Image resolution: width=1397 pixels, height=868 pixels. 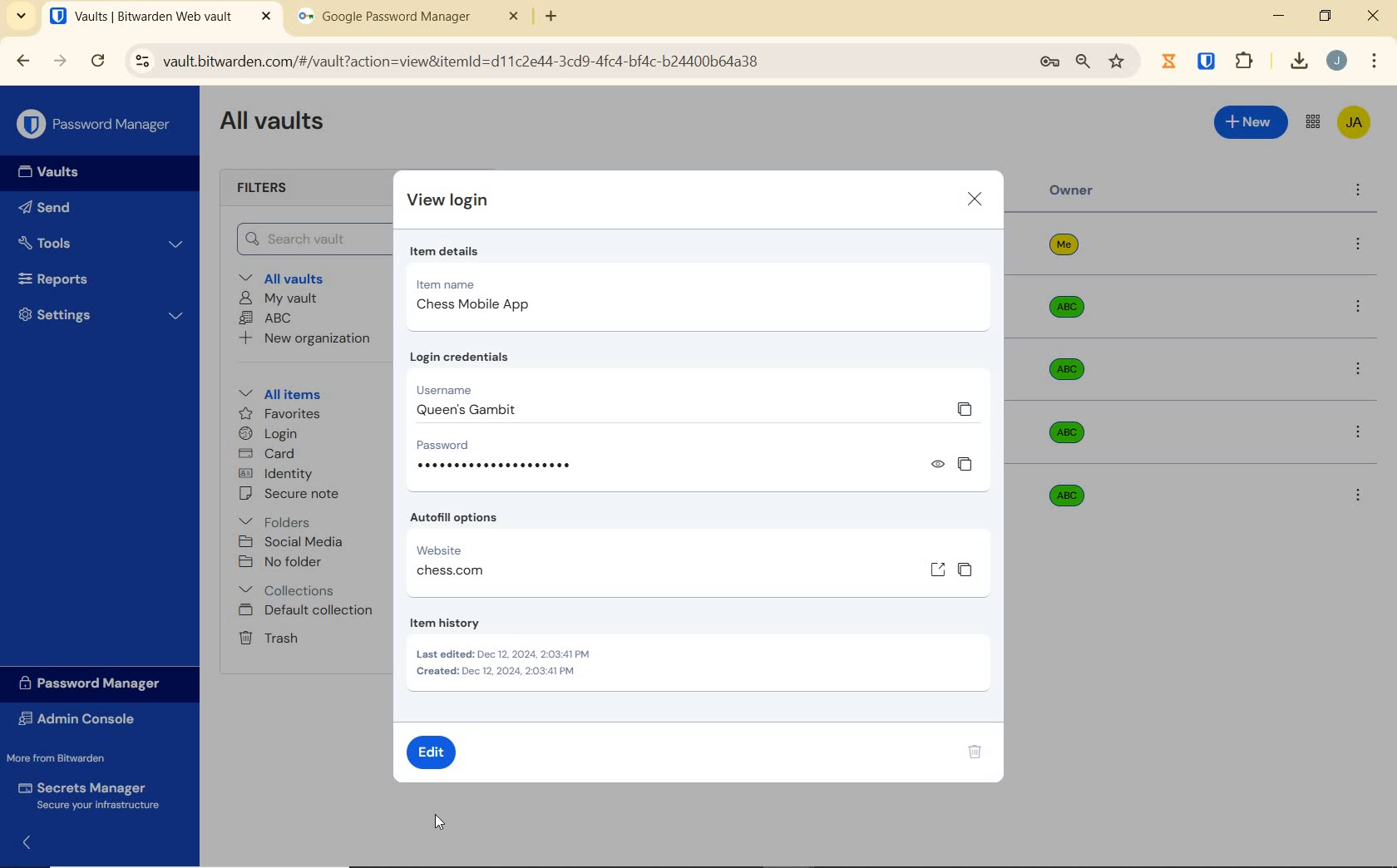 What do you see at coordinates (288, 277) in the screenshot?
I see `All vaults` at bounding box center [288, 277].